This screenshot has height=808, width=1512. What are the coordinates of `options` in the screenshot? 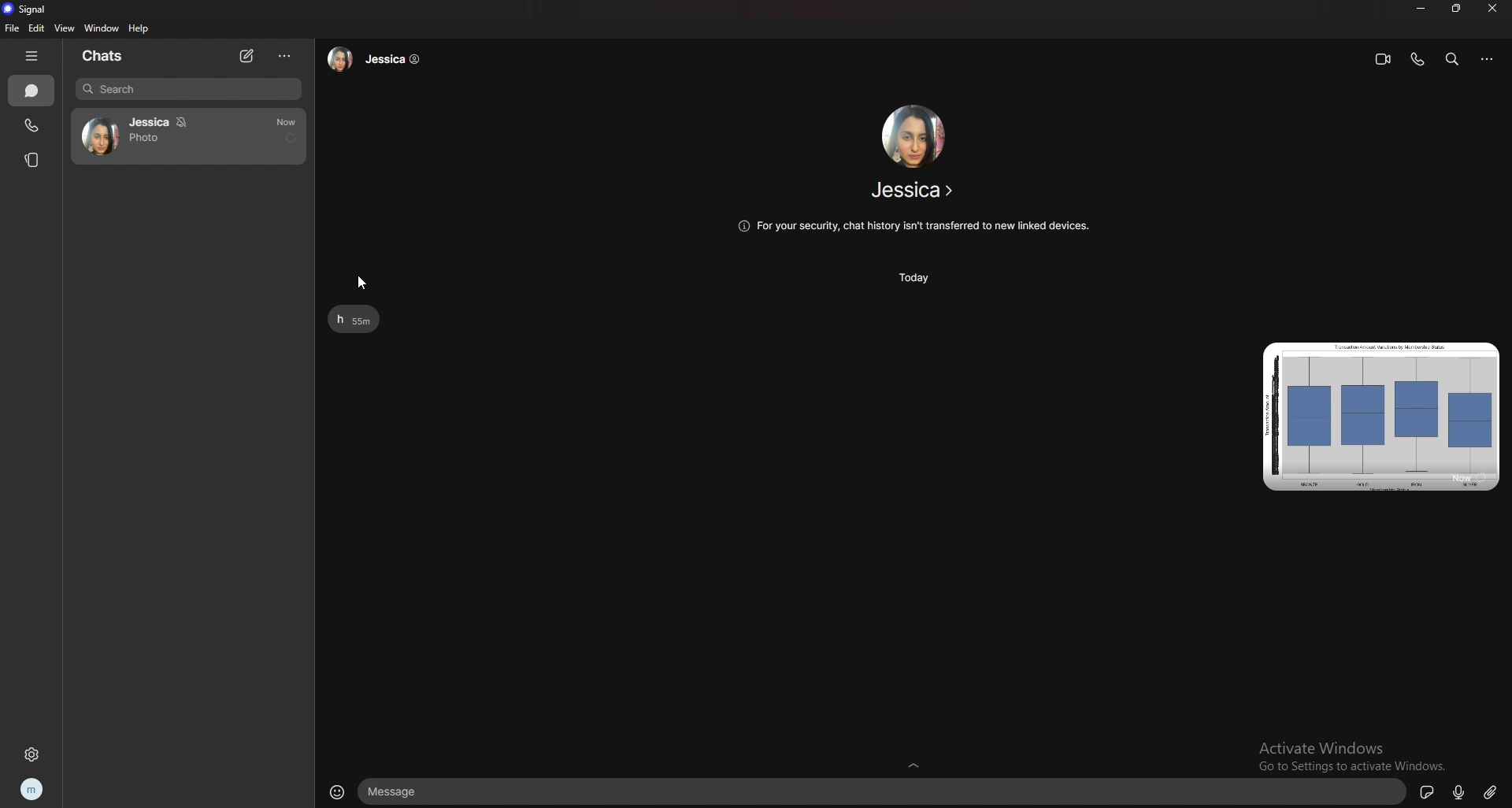 It's located at (286, 57).